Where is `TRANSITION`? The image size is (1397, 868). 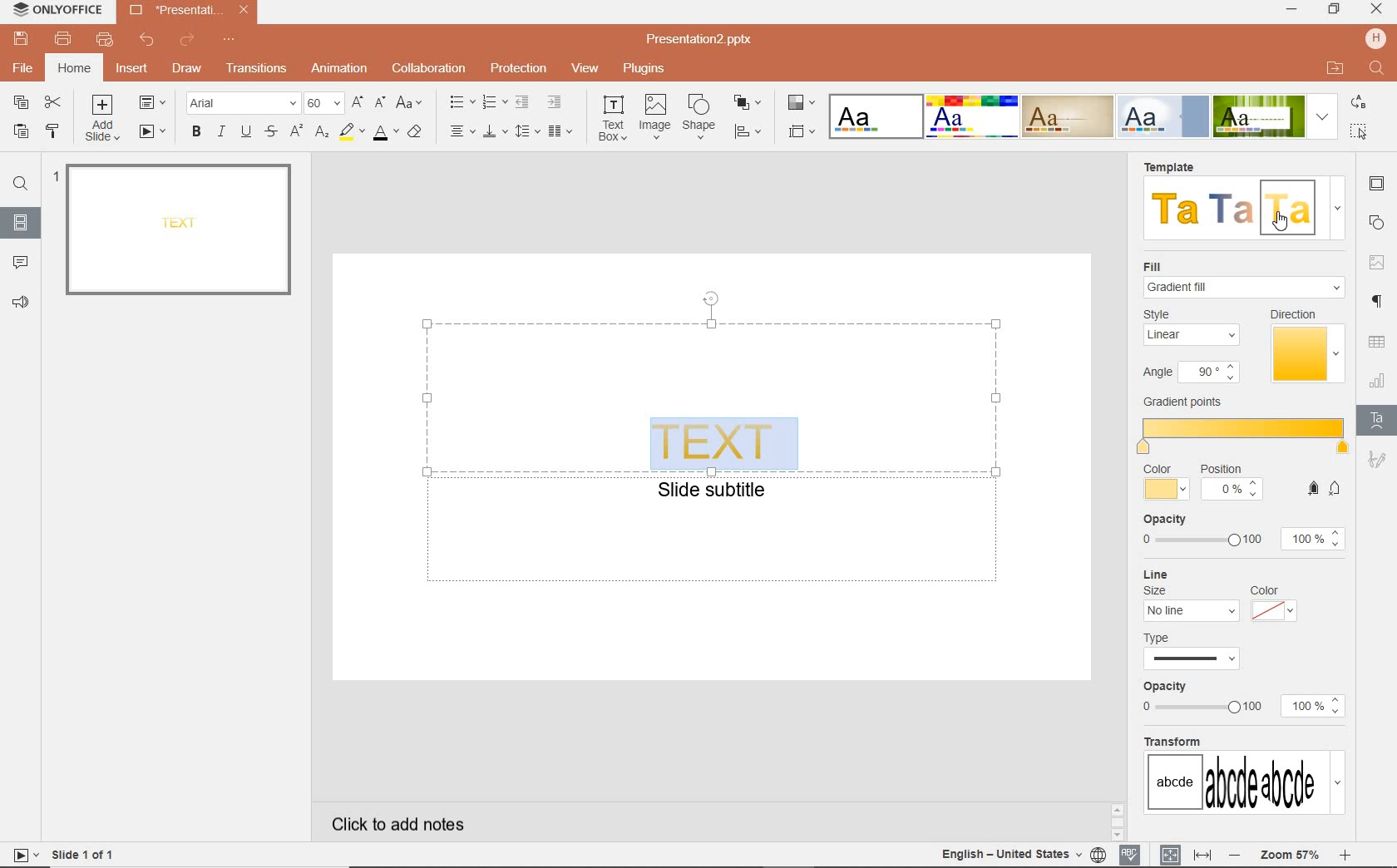 TRANSITION is located at coordinates (258, 68).